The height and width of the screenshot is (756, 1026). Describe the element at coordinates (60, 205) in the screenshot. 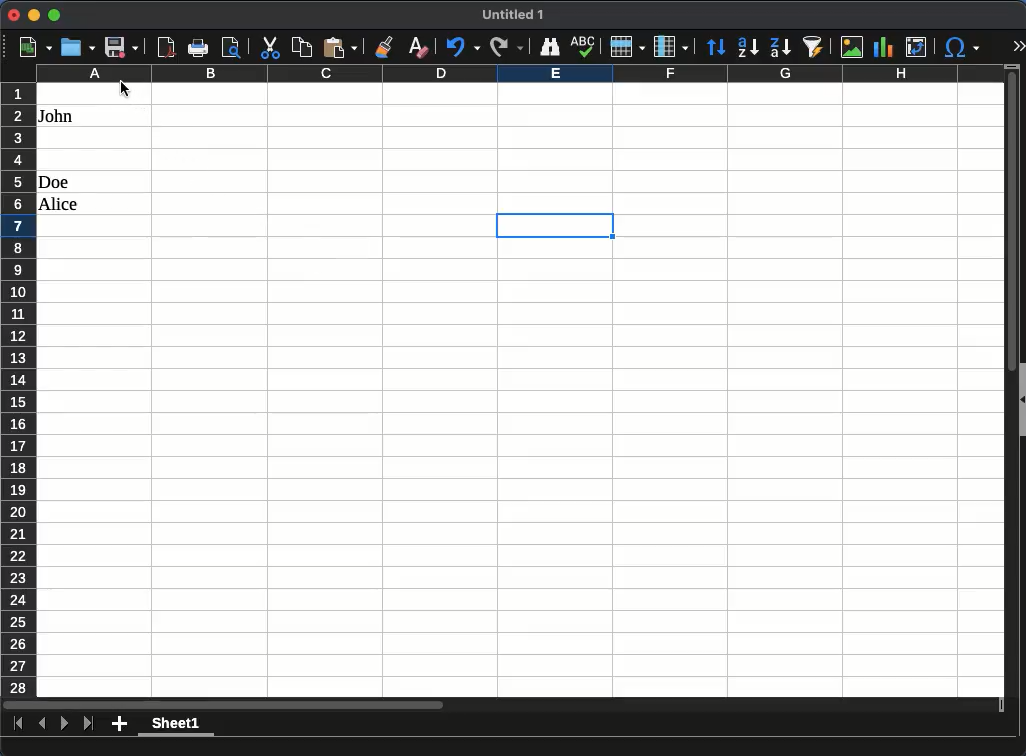

I see `Alice` at that location.